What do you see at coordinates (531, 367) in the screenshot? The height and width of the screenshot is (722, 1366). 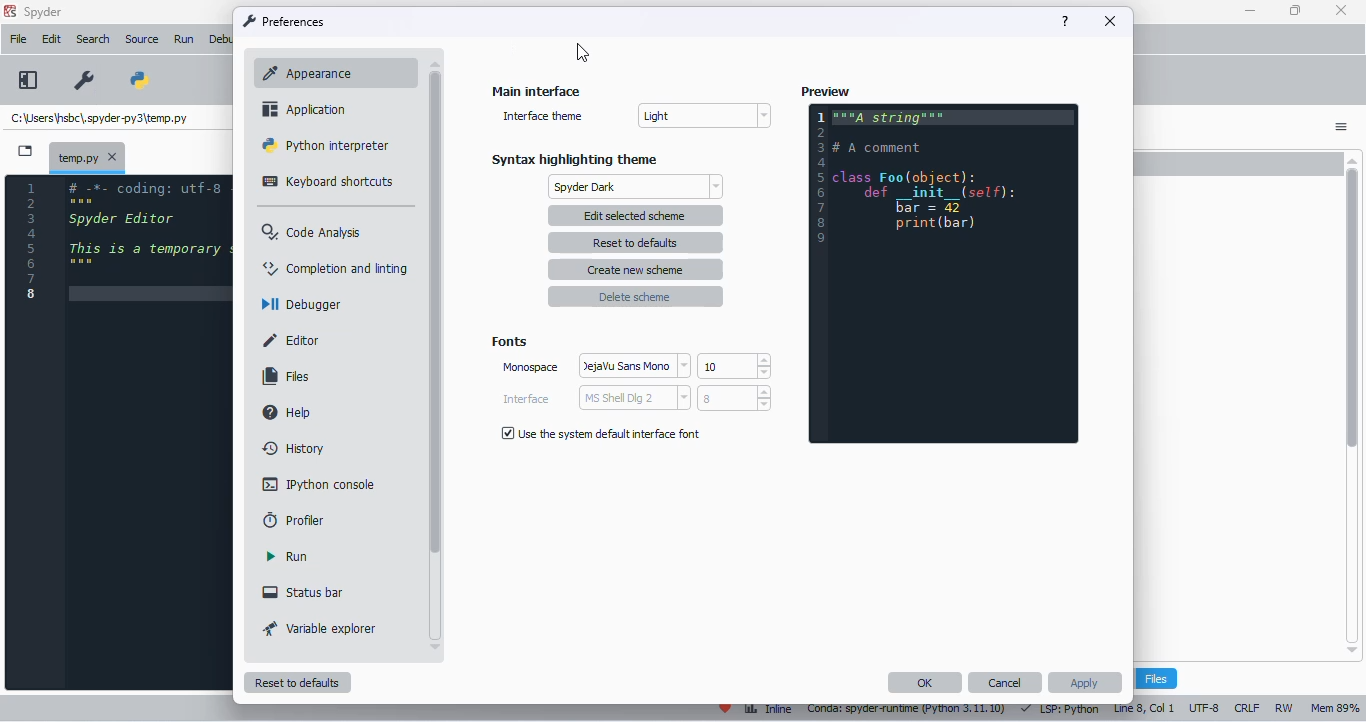 I see `monospace` at bounding box center [531, 367].